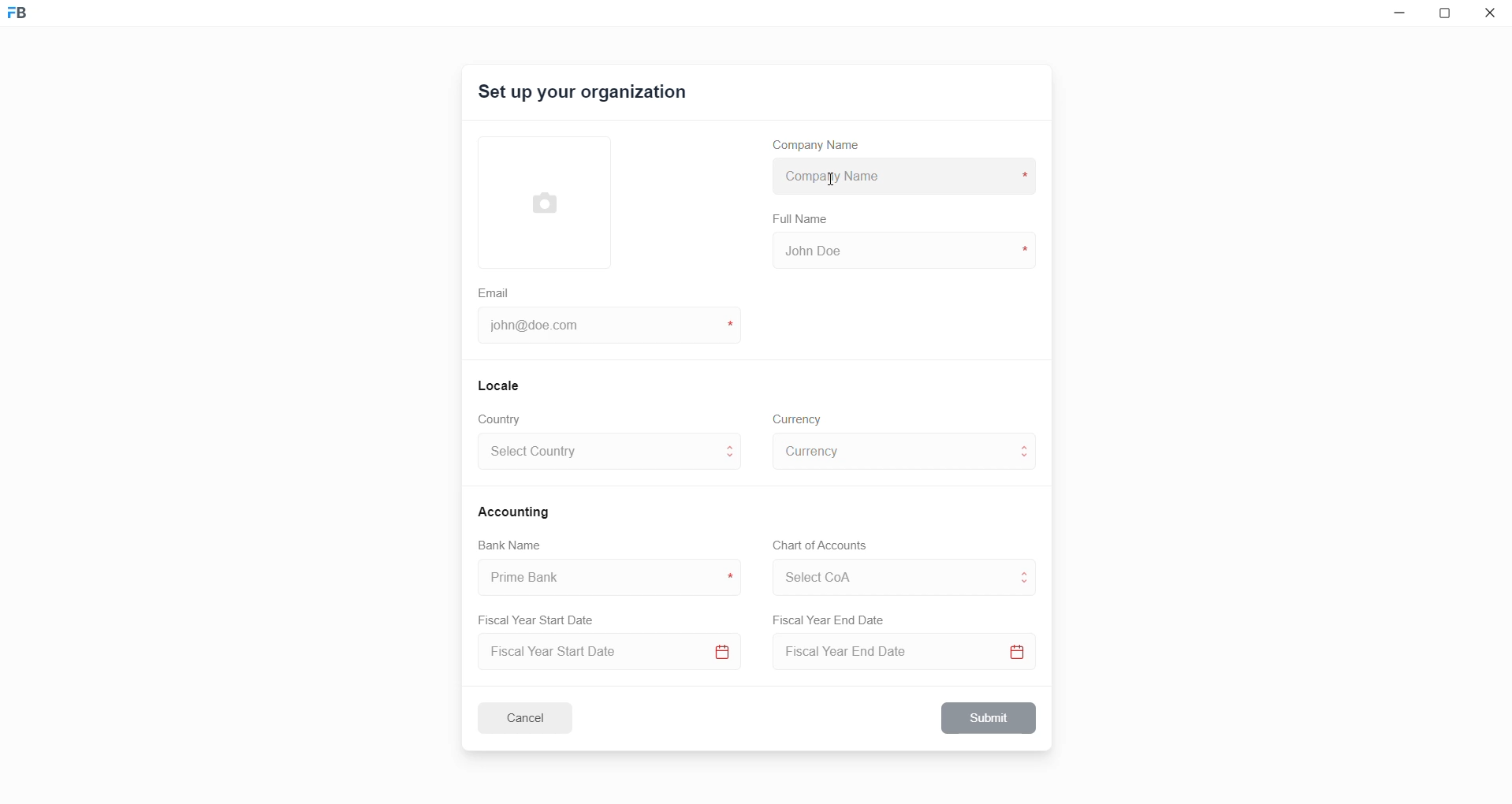 The width and height of the screenshot is (1512, 804). What do you see at coordinates (799, 418) in the screenshot?
I see `Currency` at bounding box center [799, 418].